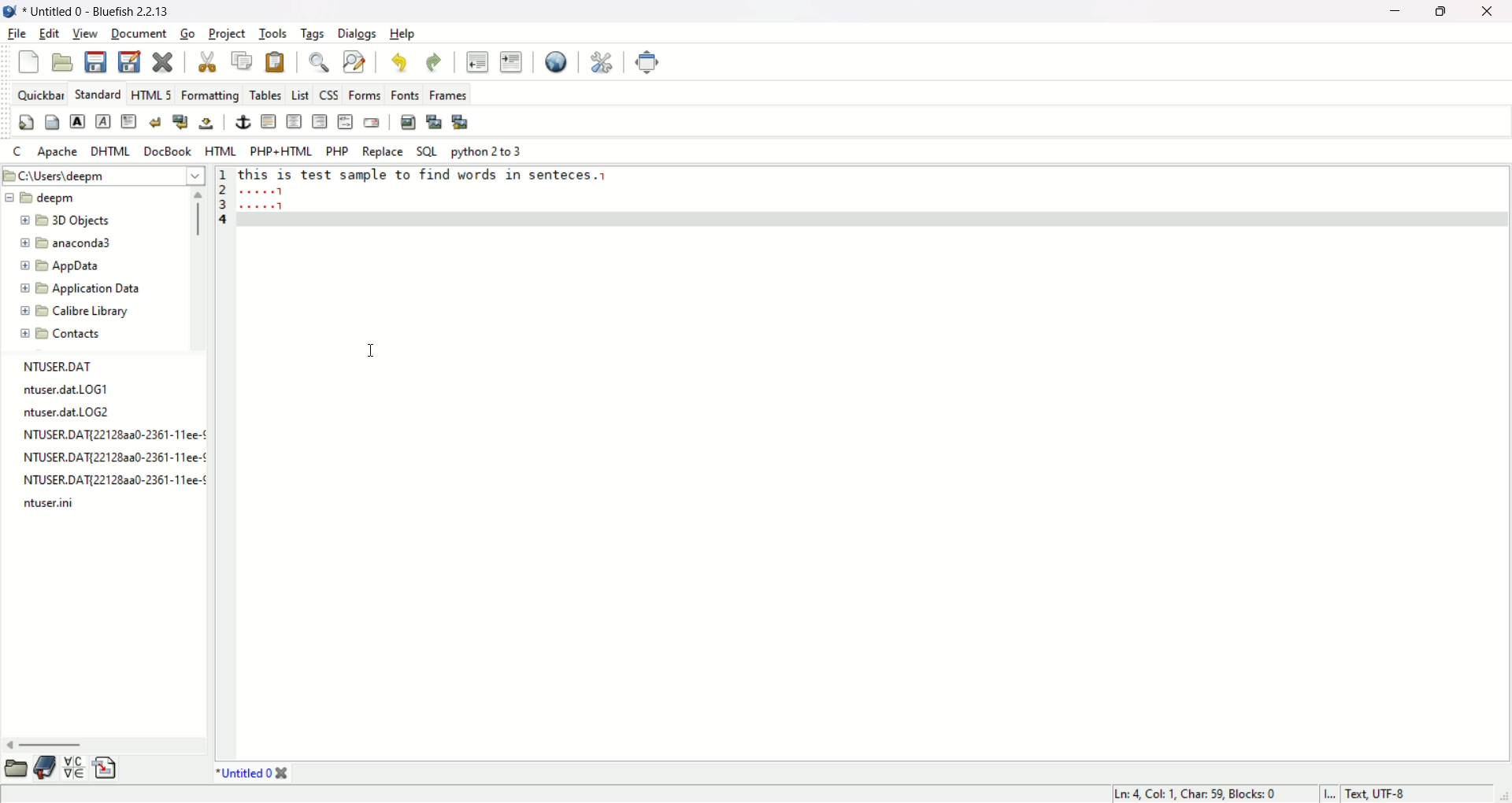  I want to click on help, so click(401, 35).